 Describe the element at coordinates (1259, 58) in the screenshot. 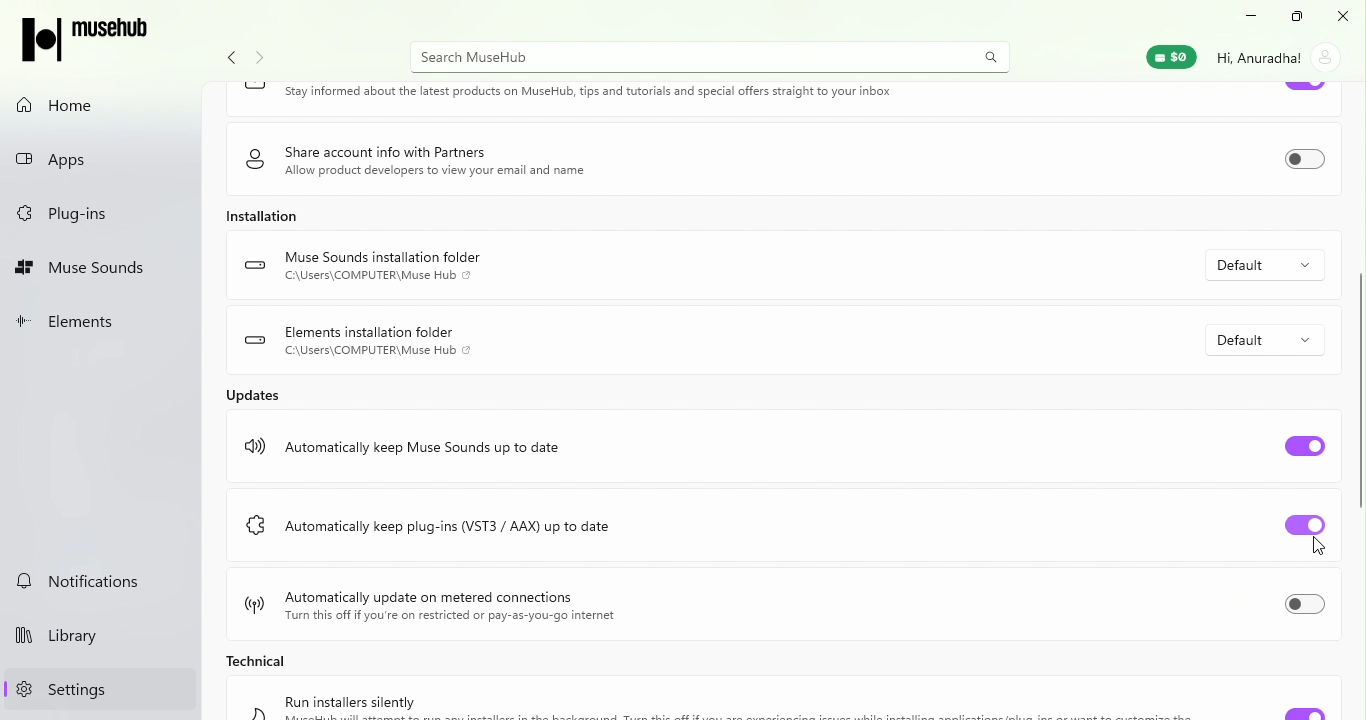

I see `Hi, Anuradha!` at that location.